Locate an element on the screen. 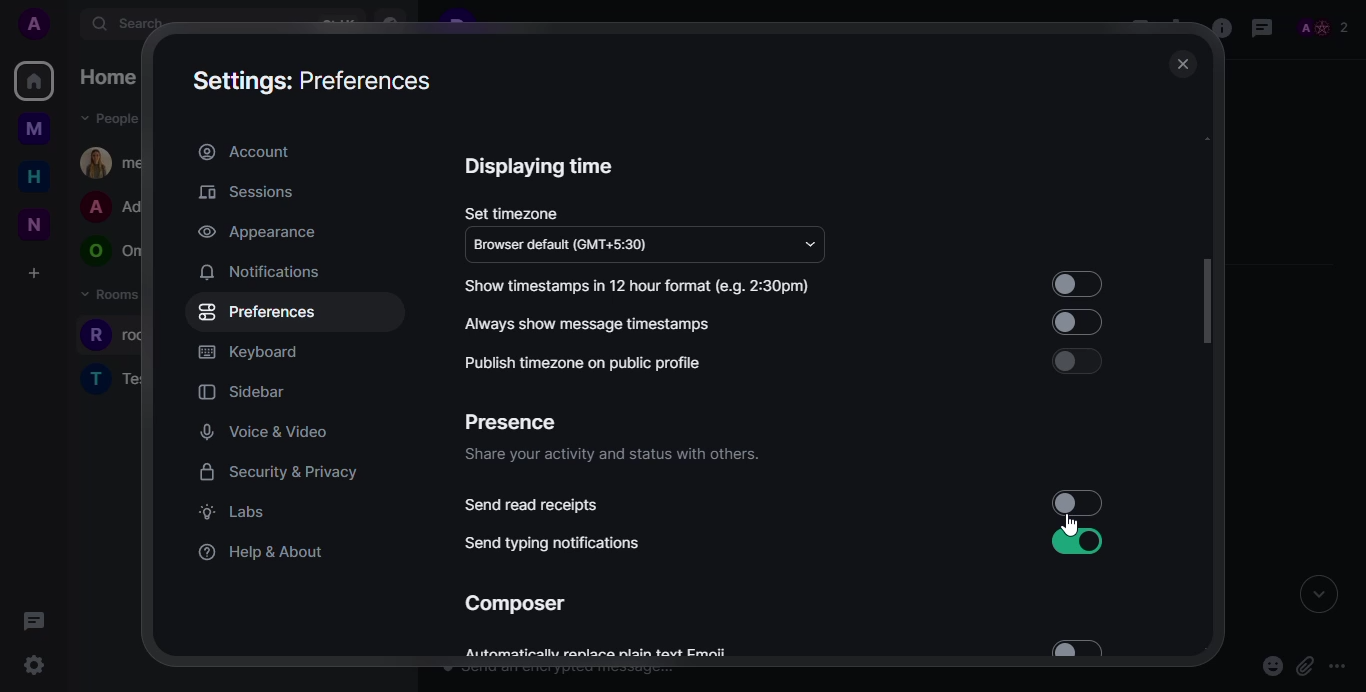 The width and height of the screenshot is (1366, 692). presence is located at coordinates (510, 422).